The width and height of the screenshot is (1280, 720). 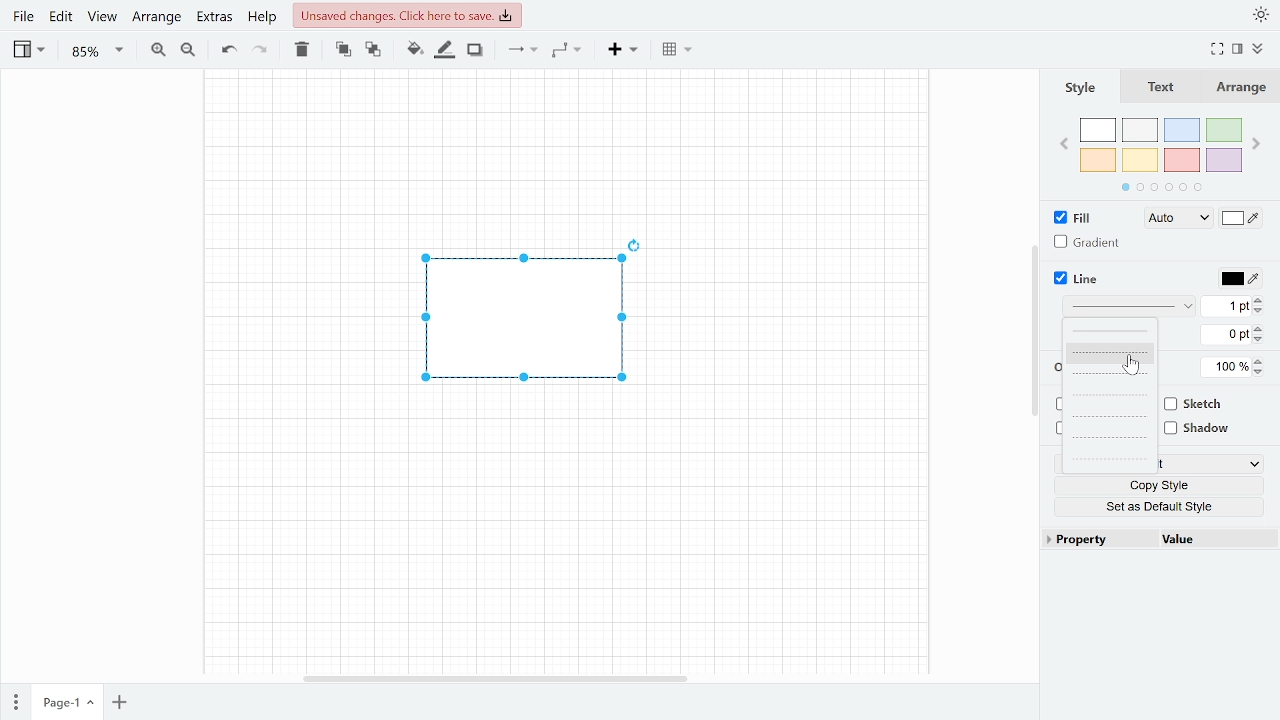 I want to click on Gradient, so click(x=1090, y=243).